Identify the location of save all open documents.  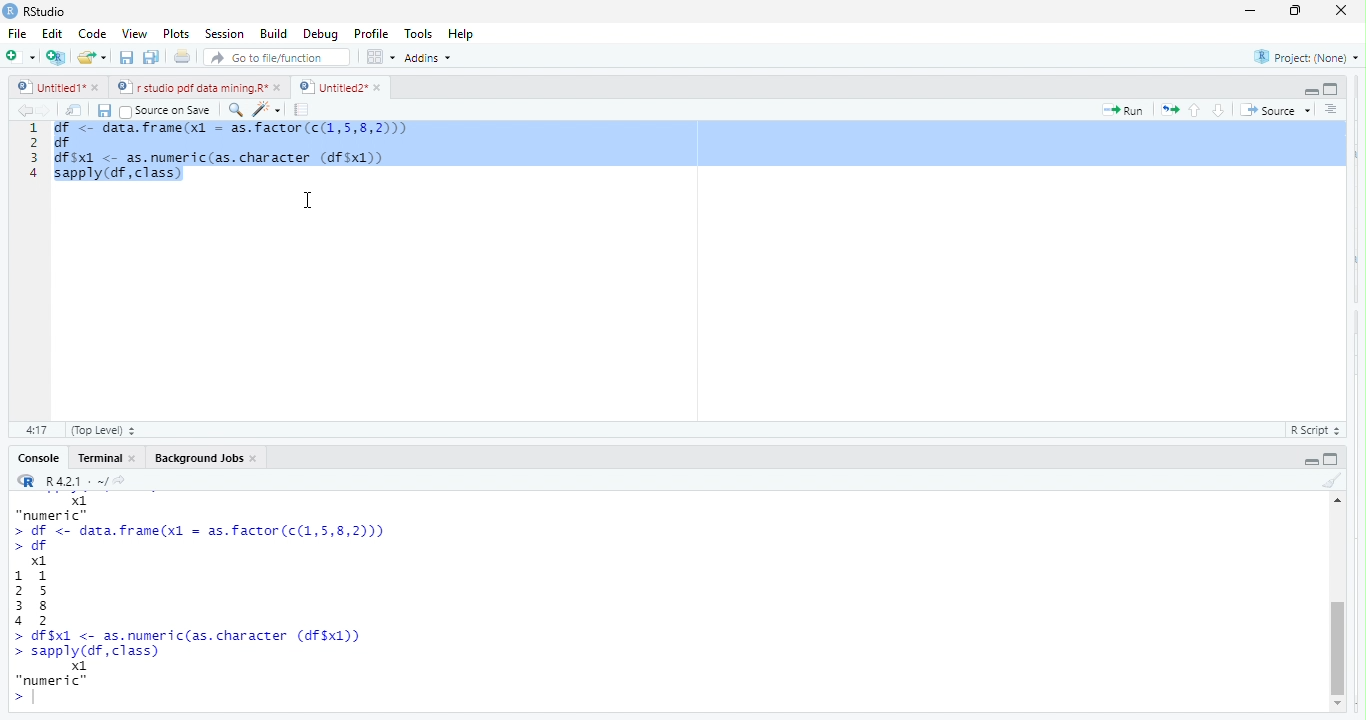
(149, 57).